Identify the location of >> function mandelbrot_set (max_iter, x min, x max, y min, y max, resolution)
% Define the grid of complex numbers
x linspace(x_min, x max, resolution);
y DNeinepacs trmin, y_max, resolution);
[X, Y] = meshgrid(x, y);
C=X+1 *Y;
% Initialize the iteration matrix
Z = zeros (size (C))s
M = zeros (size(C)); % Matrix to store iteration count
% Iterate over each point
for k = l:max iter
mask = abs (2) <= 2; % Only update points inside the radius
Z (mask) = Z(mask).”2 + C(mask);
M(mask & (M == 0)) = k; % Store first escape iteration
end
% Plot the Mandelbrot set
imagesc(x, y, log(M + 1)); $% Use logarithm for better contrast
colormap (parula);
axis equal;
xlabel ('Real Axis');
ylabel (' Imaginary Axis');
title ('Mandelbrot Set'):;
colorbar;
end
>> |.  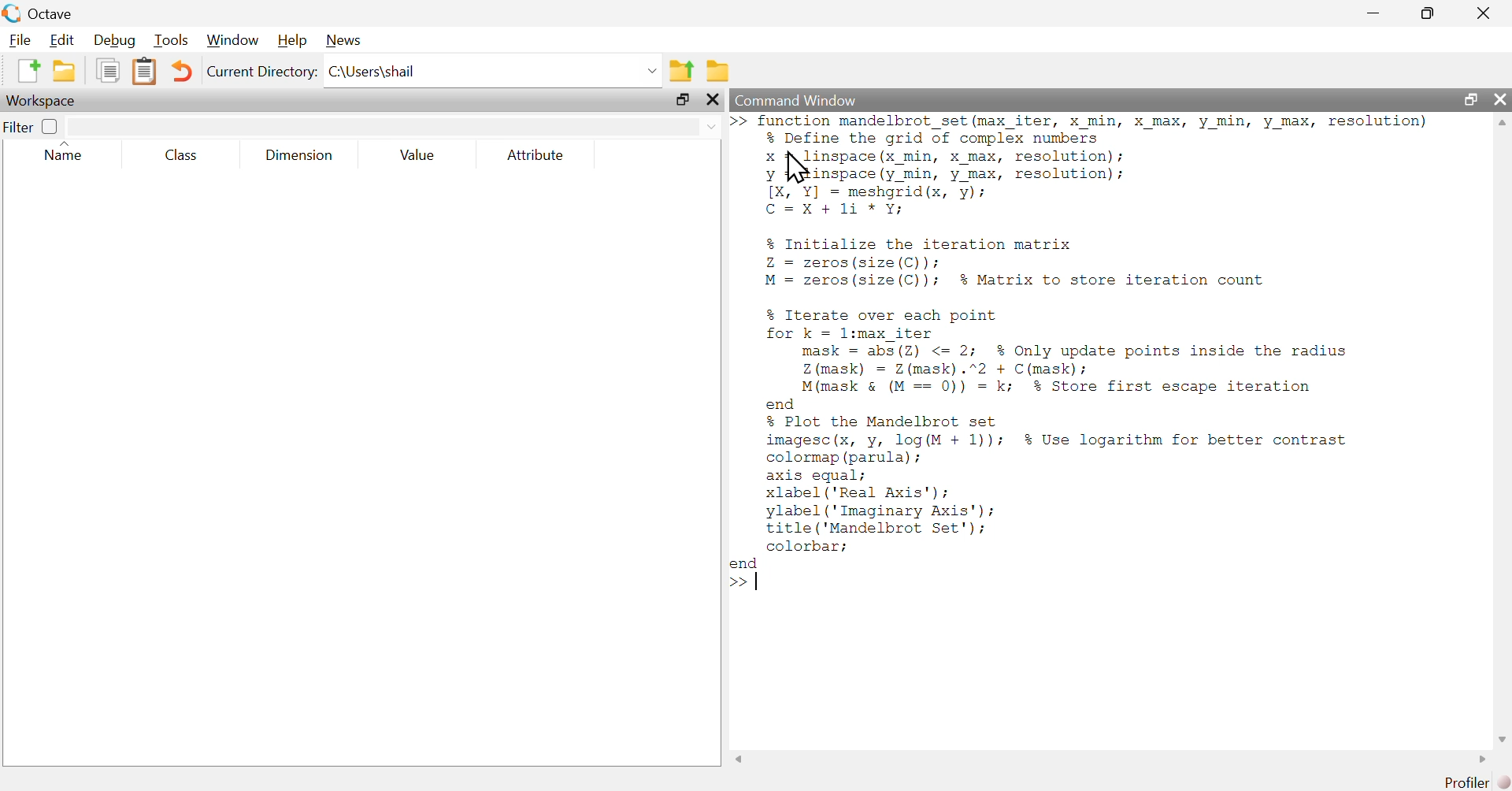
(1104, 363).